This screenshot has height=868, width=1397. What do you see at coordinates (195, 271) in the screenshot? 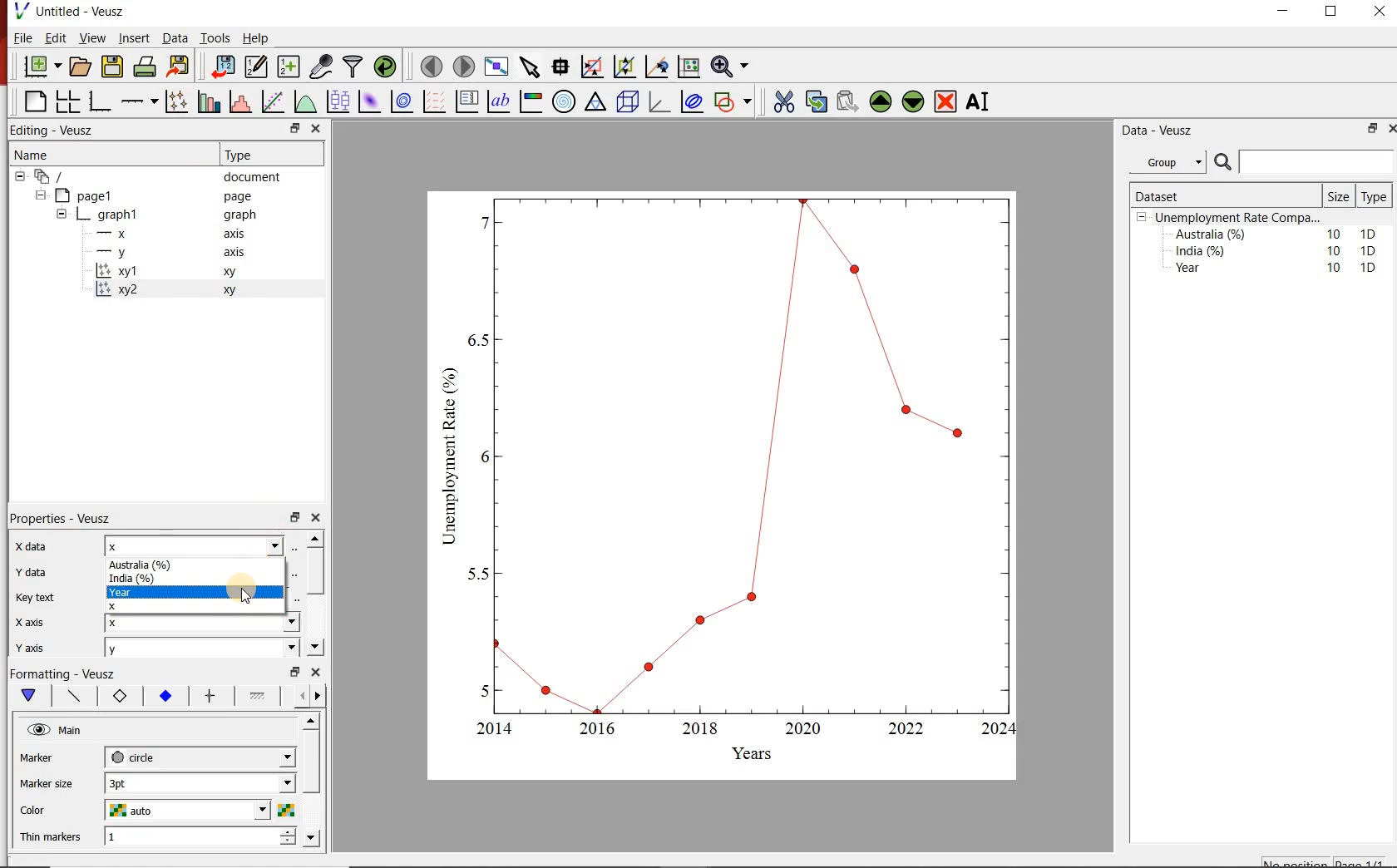
I see `xy 1 xy` at bounding box center [195, 271].